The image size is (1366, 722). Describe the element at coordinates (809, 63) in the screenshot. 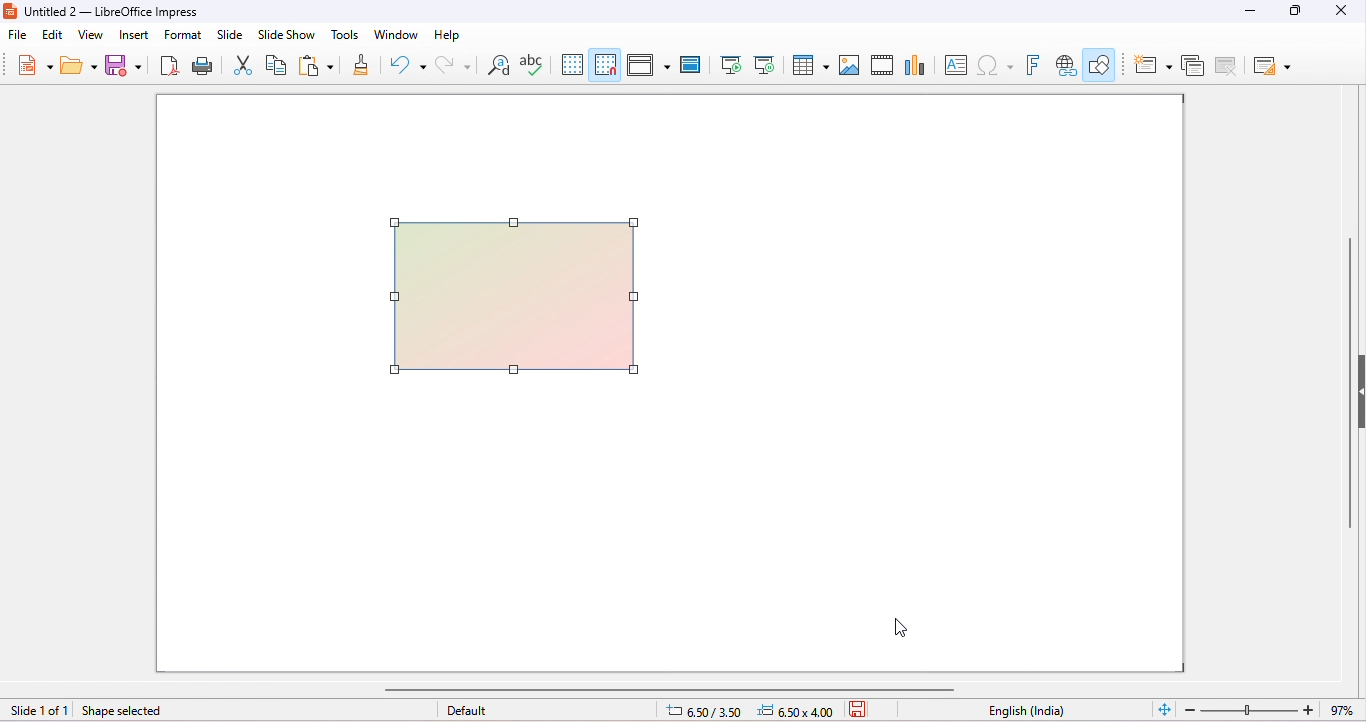

I see `insert table` at that location.